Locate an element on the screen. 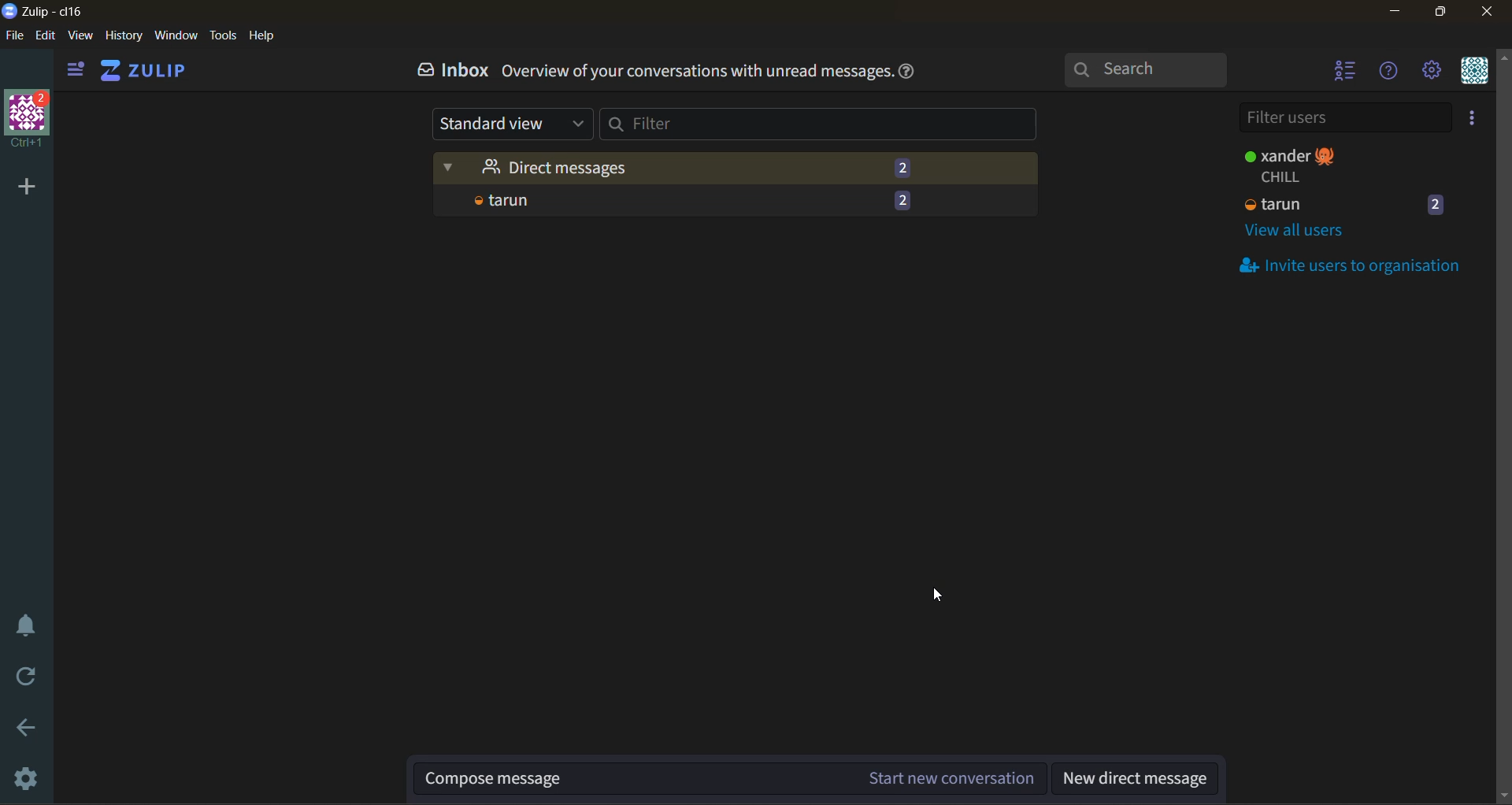  app name and organisation name is located at coordinates (46, 12).